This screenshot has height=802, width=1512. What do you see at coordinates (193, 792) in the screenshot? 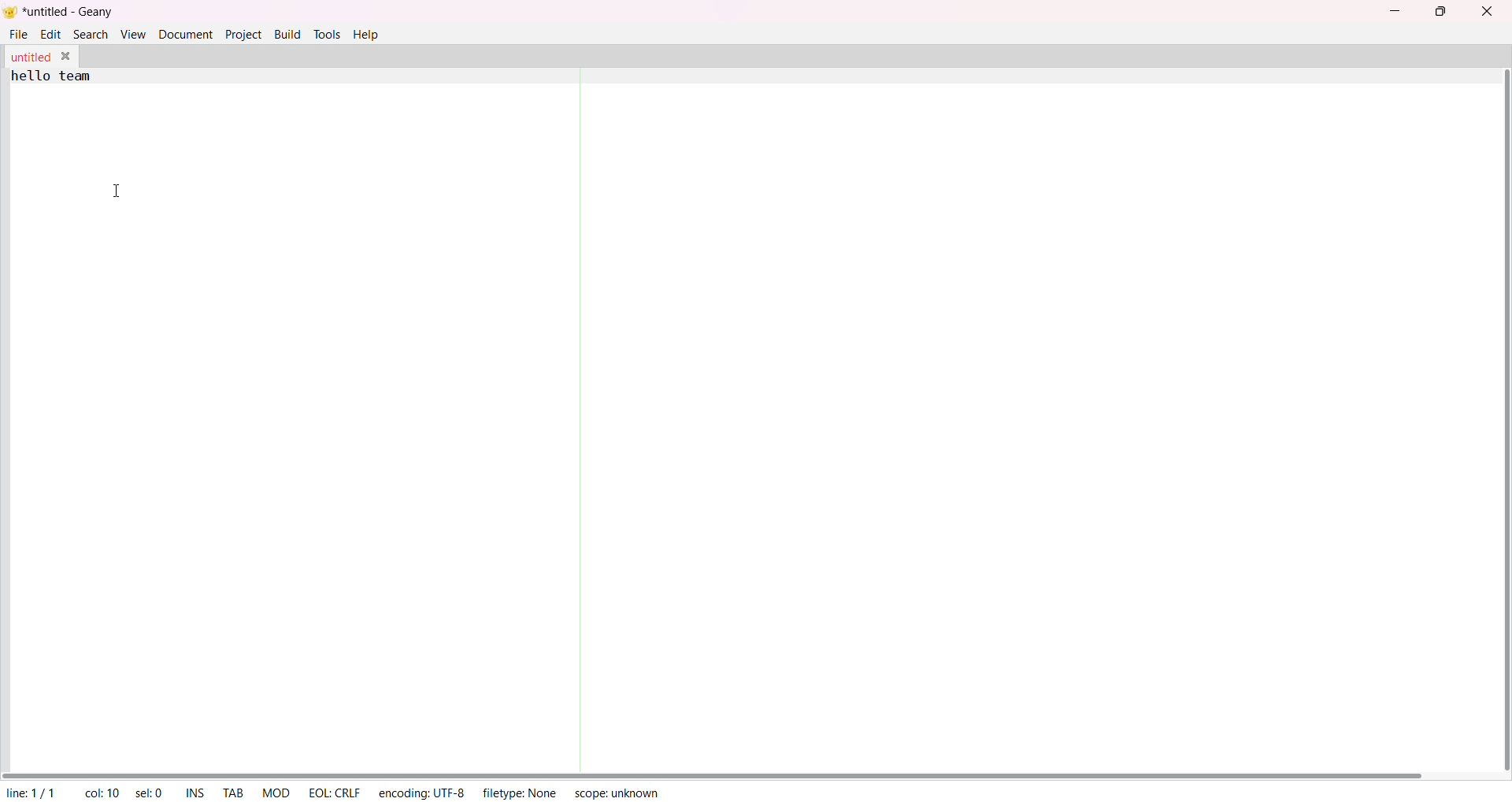
I see `ins` at bounding box center [193, 792].